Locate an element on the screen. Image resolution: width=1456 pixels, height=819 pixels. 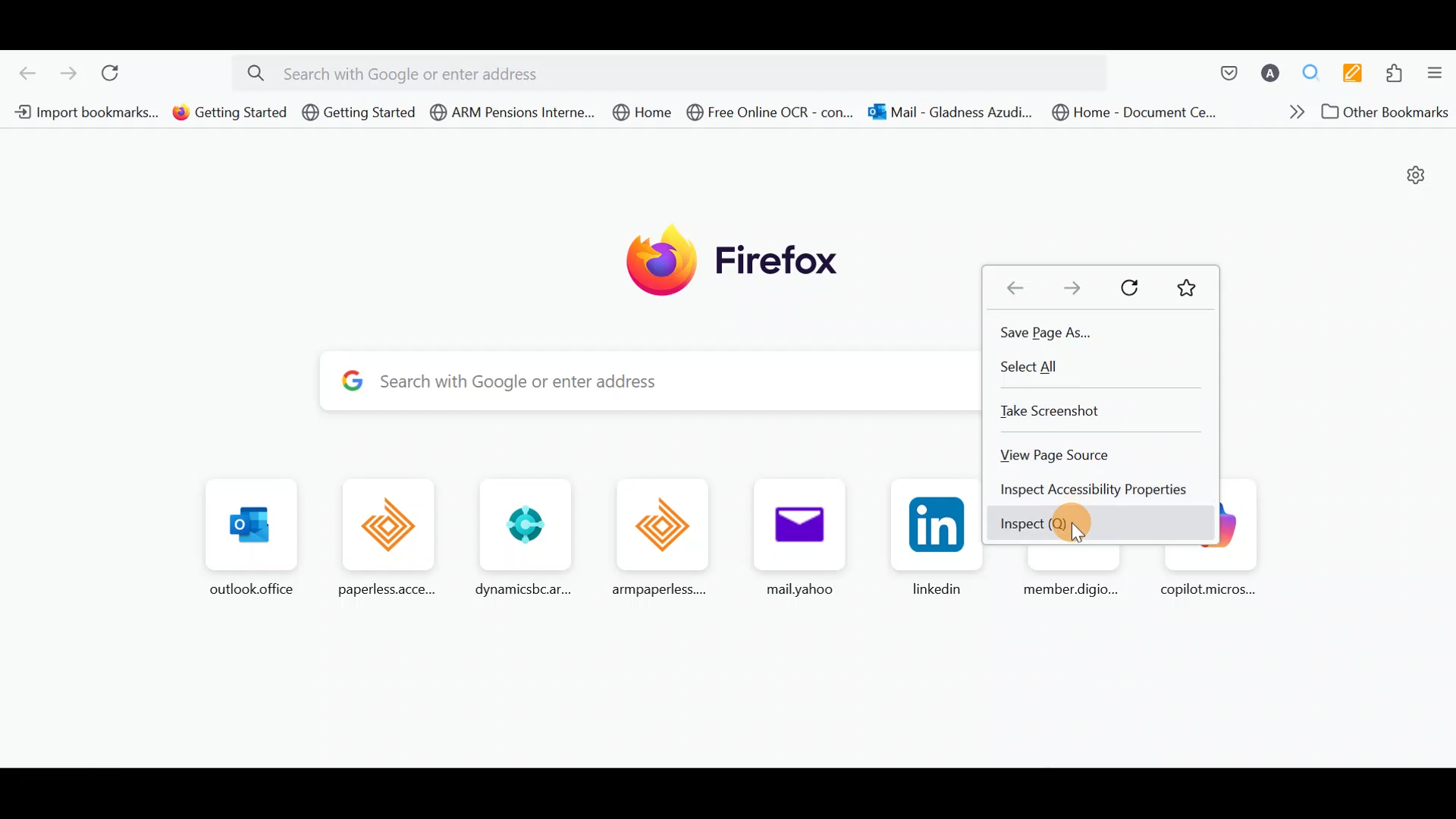
Personalize new tab is located at coordinates (1415, 175).